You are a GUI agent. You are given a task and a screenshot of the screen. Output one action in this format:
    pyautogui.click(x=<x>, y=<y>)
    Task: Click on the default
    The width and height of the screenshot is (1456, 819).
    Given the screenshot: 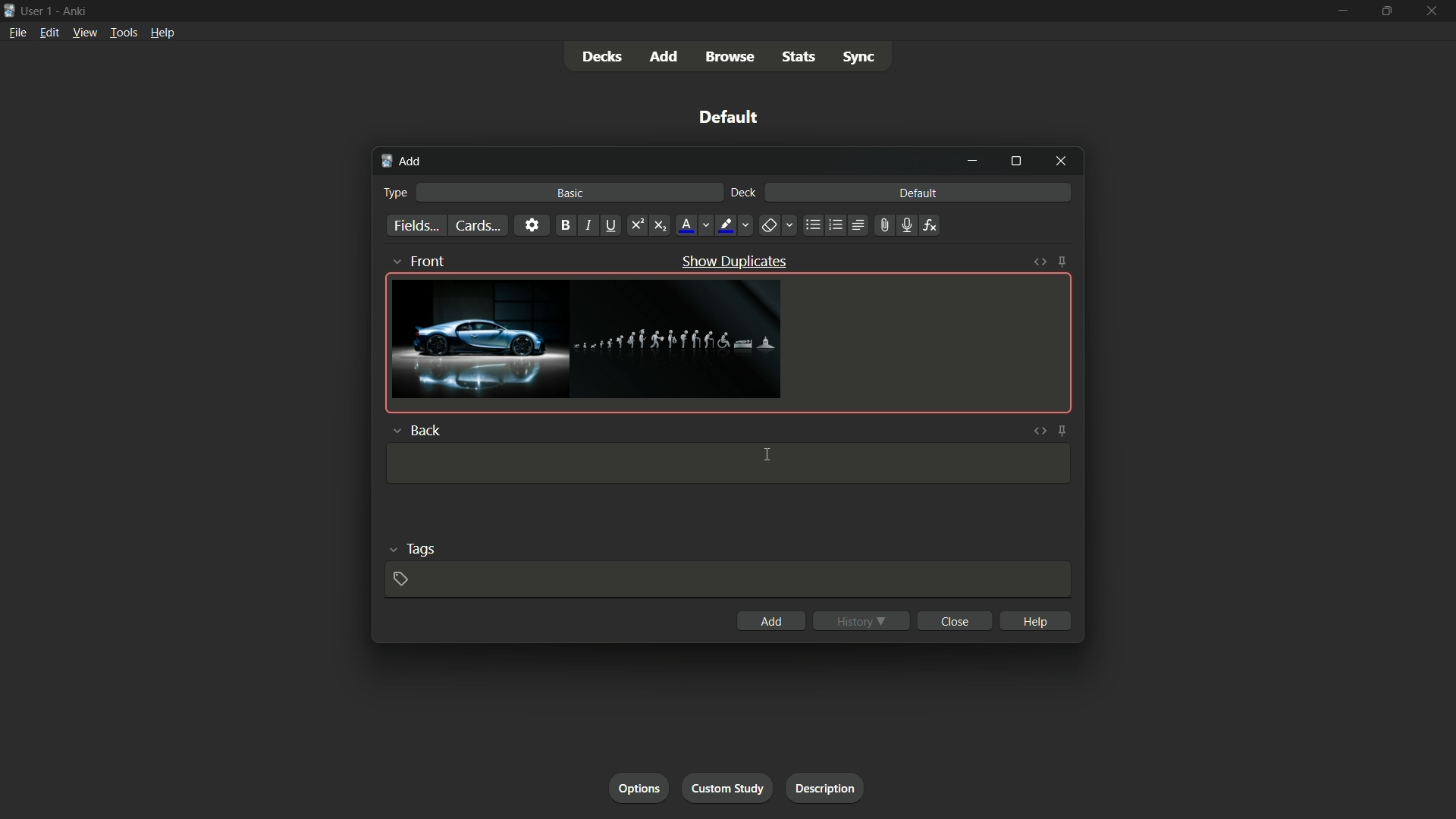 What is the action you would take?
    pyautogui.click(x=918, y=193)
    